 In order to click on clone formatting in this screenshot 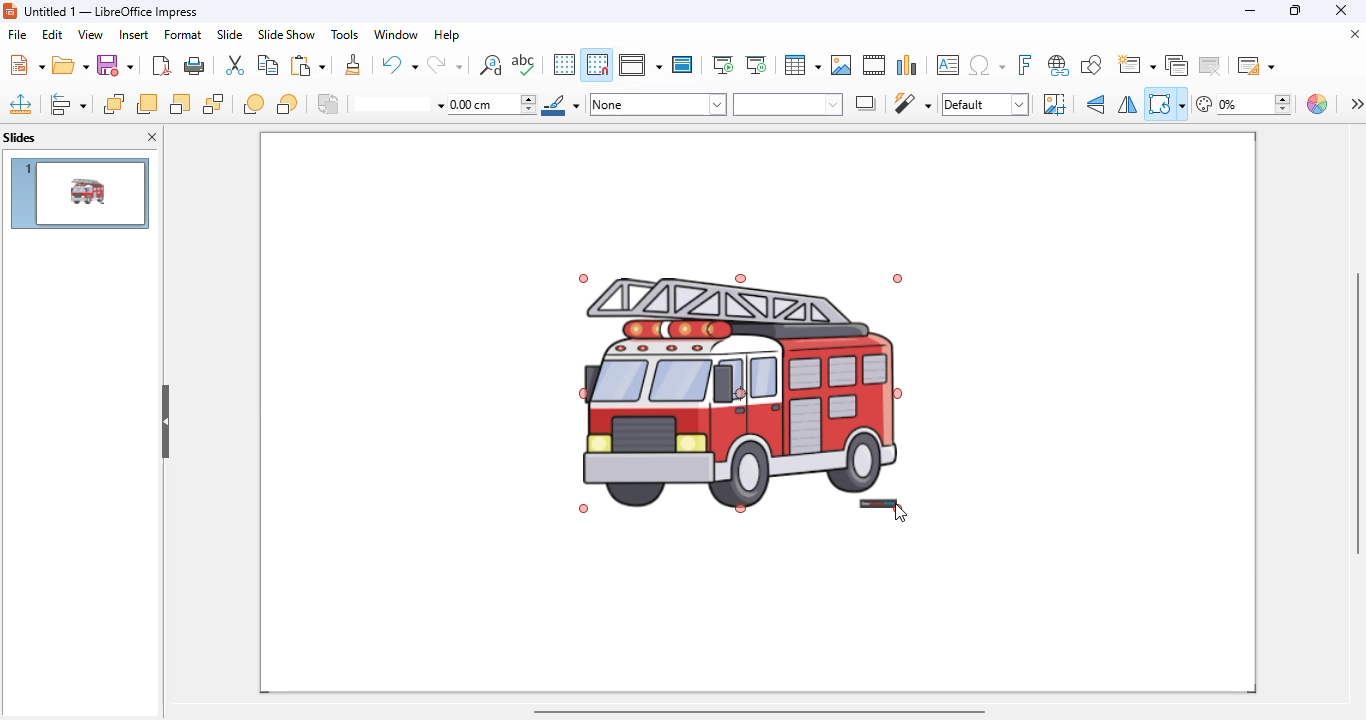, I will do `click(353, 65)`.